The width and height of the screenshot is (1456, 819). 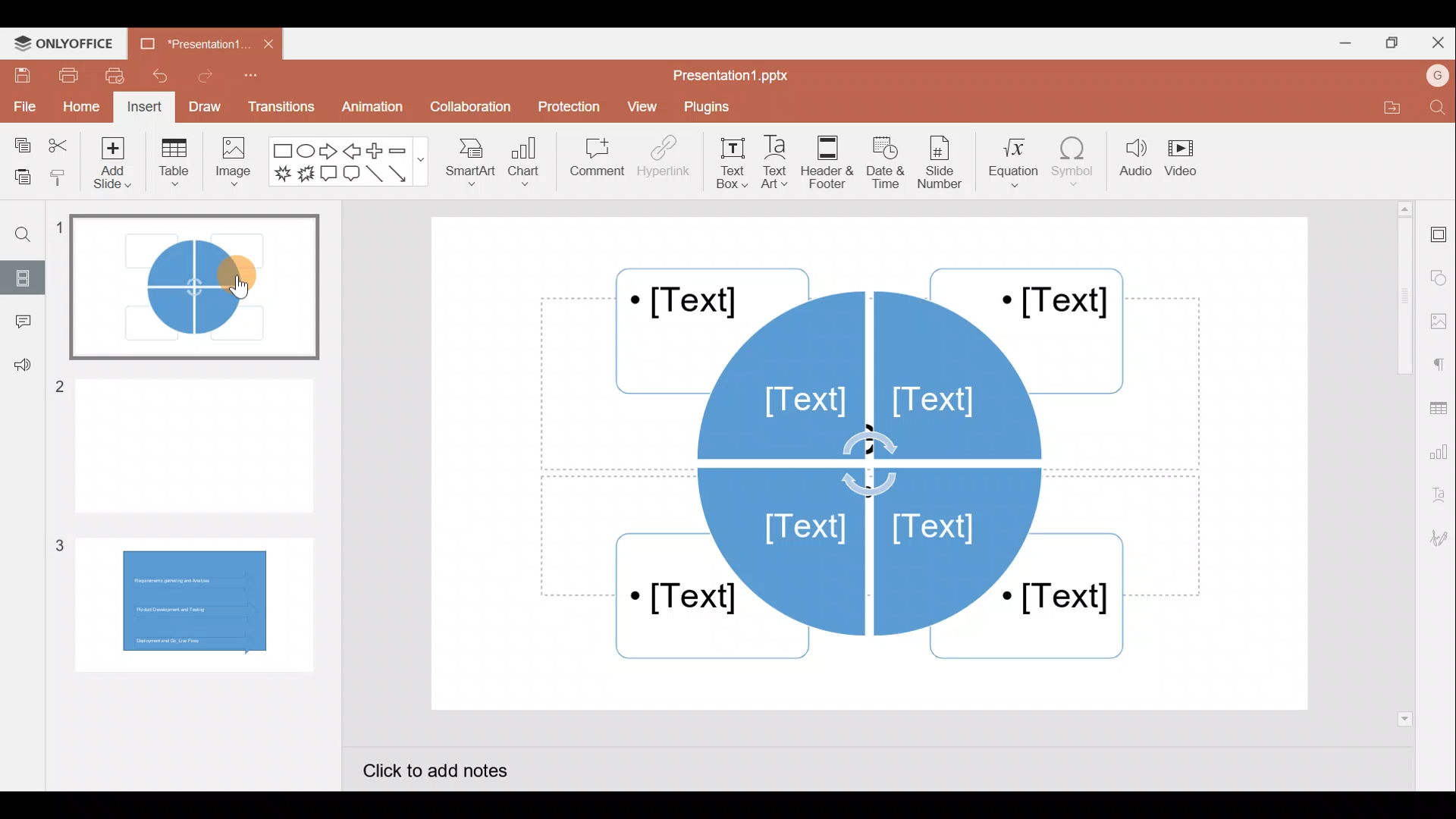 I want to click on Presentation slide, so click(x=875, y=462).